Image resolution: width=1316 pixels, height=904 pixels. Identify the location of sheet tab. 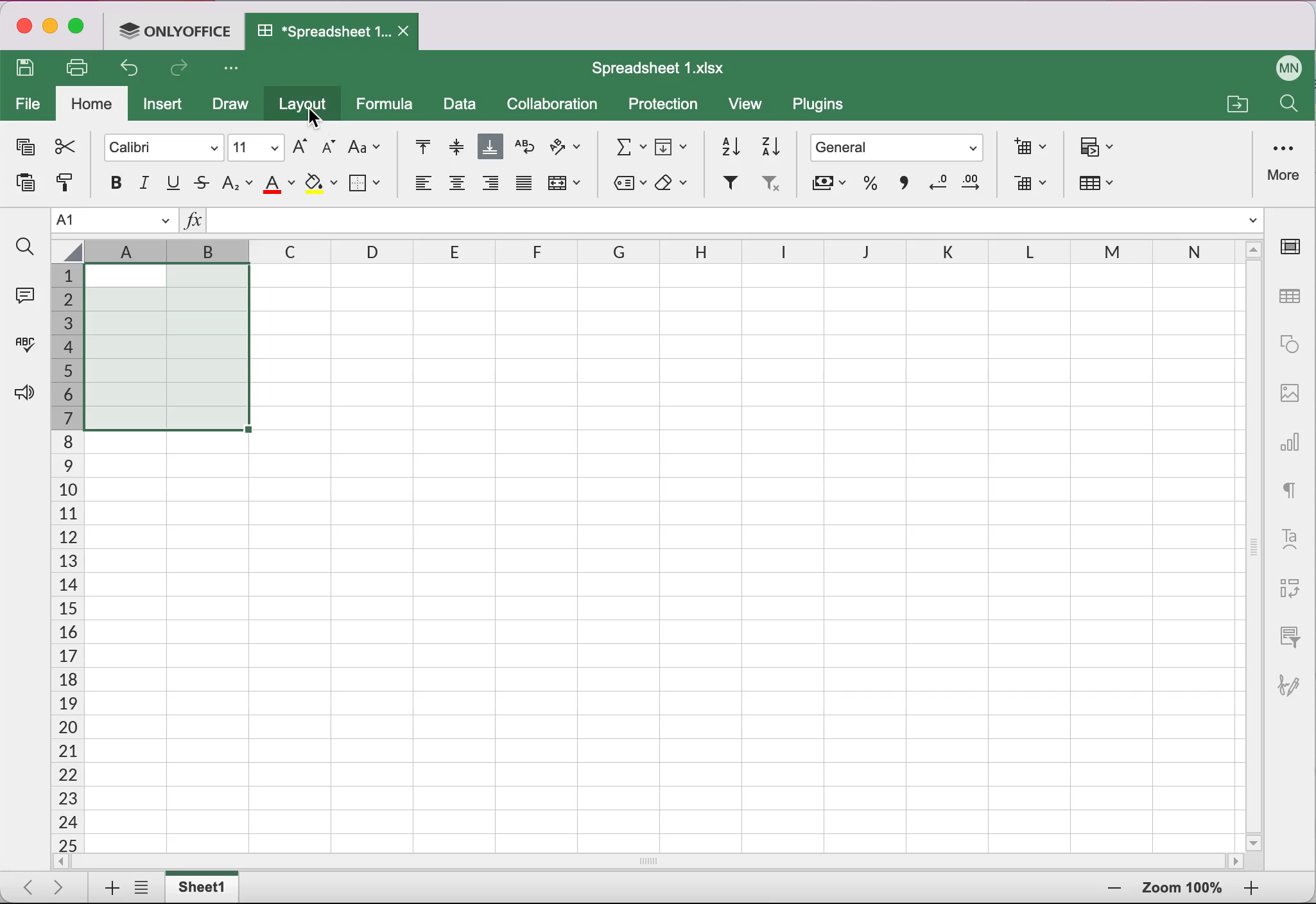
(205, 887).